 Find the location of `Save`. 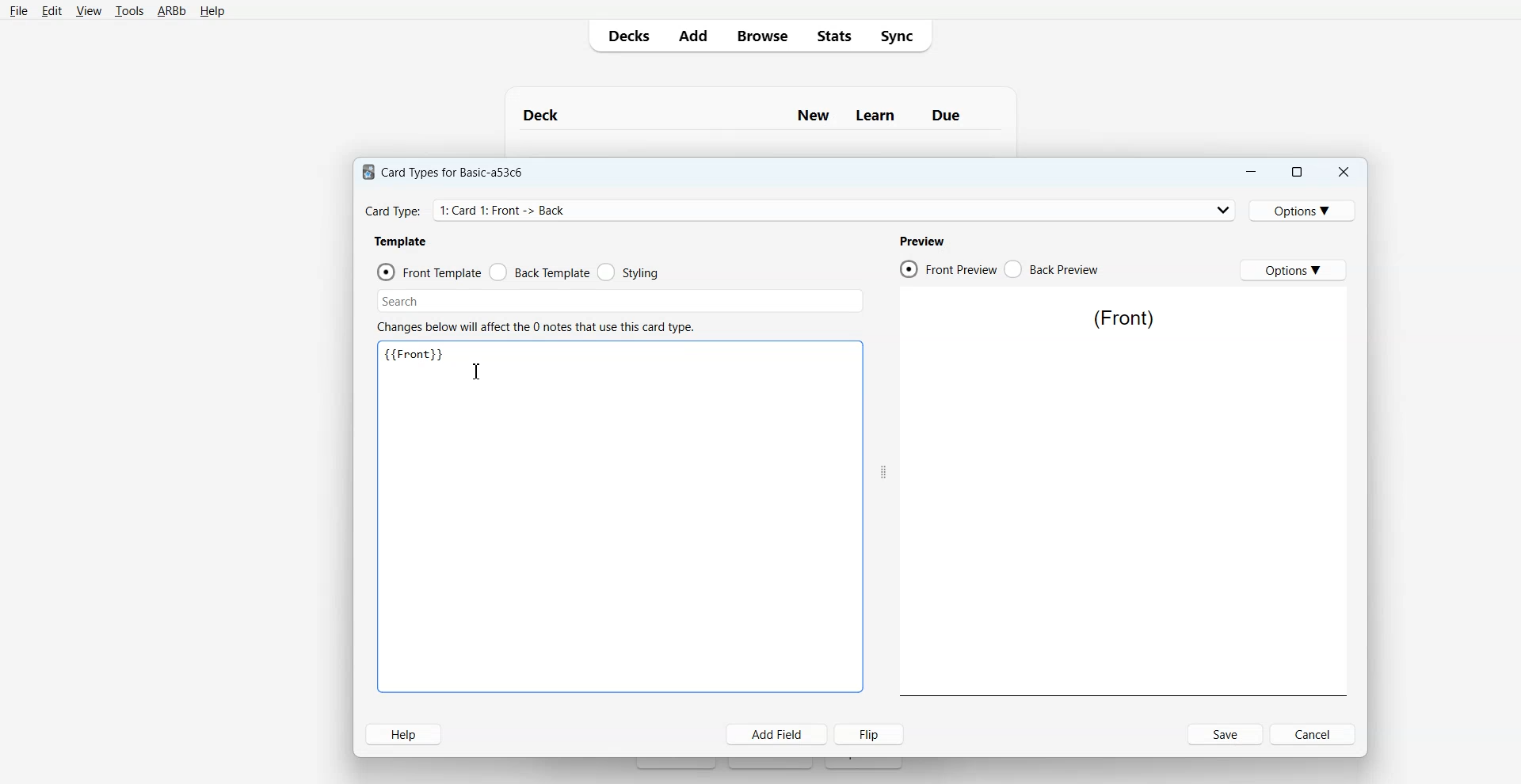

Save is located at coordinates (1226, 734).